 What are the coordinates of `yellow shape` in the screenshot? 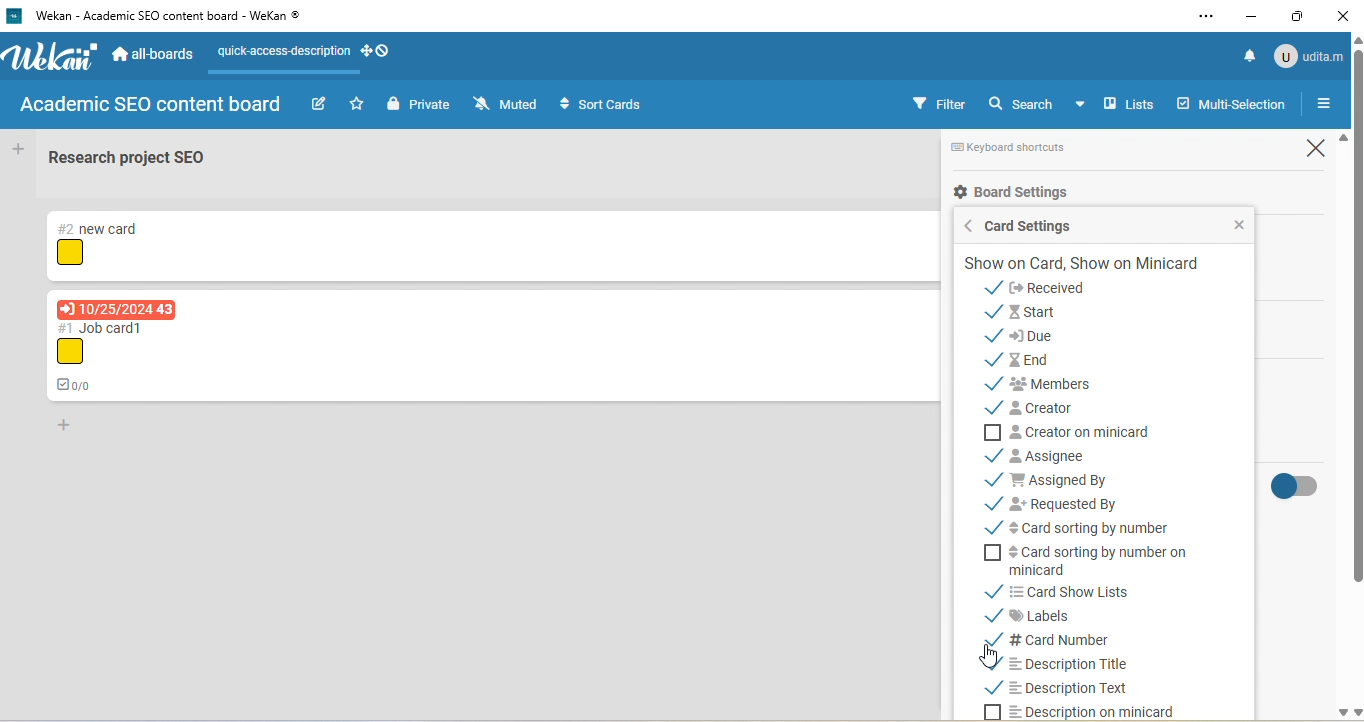 It's located at (72, 352).